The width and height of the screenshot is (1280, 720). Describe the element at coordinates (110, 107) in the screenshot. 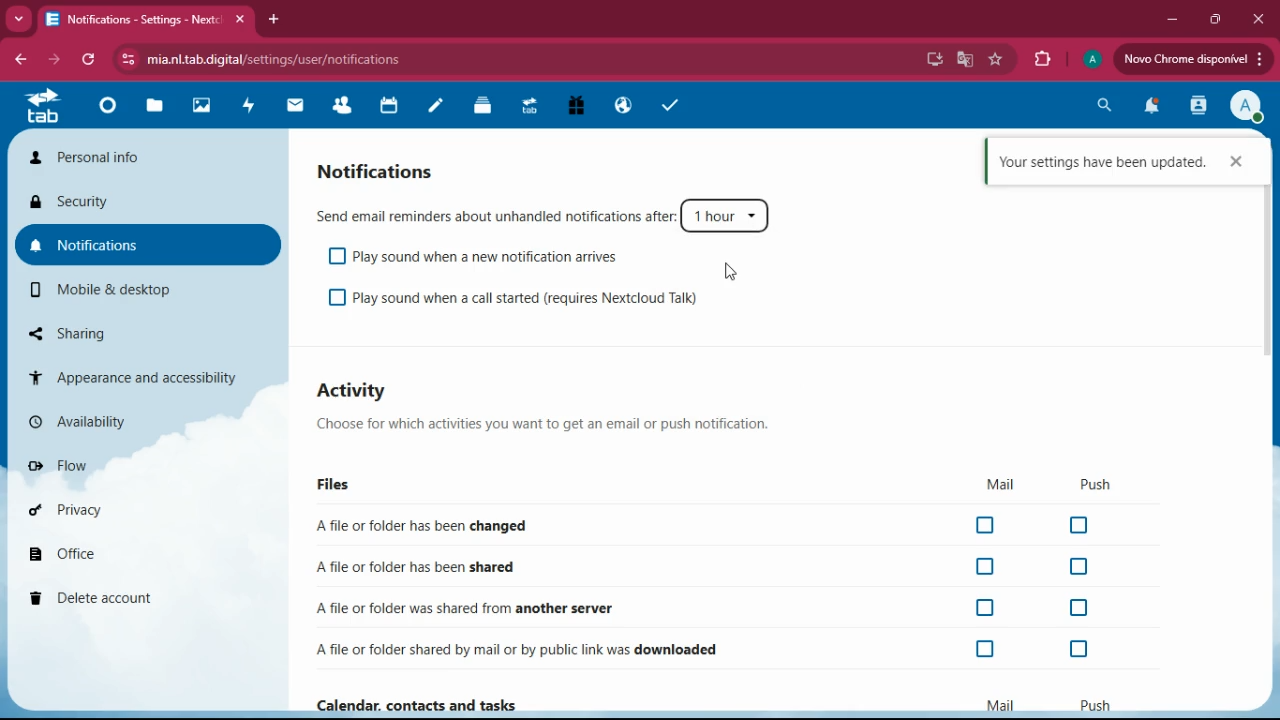

I see `home` at that location.